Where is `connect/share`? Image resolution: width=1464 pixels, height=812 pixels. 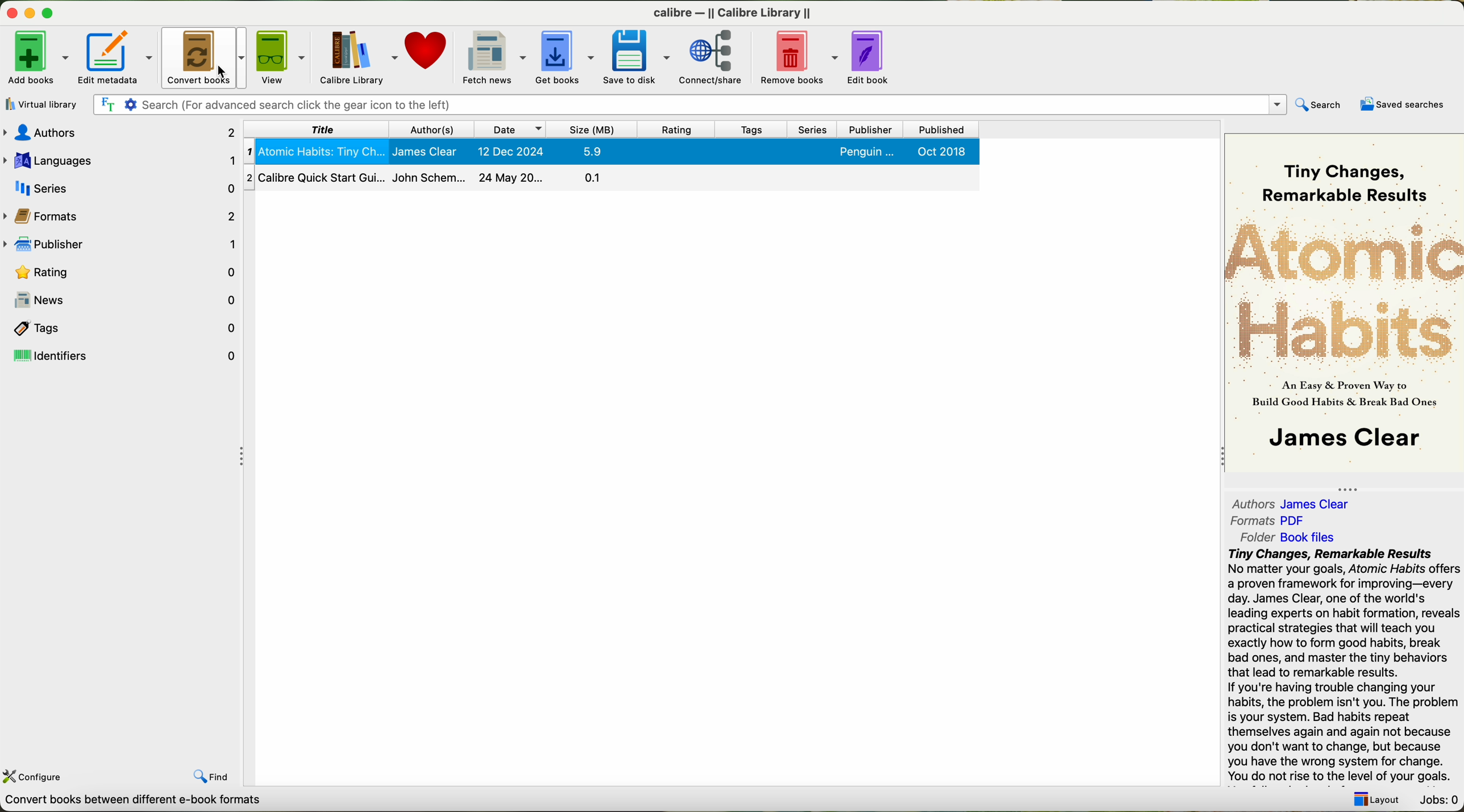
connect/share is located at coordinates (713, 58).